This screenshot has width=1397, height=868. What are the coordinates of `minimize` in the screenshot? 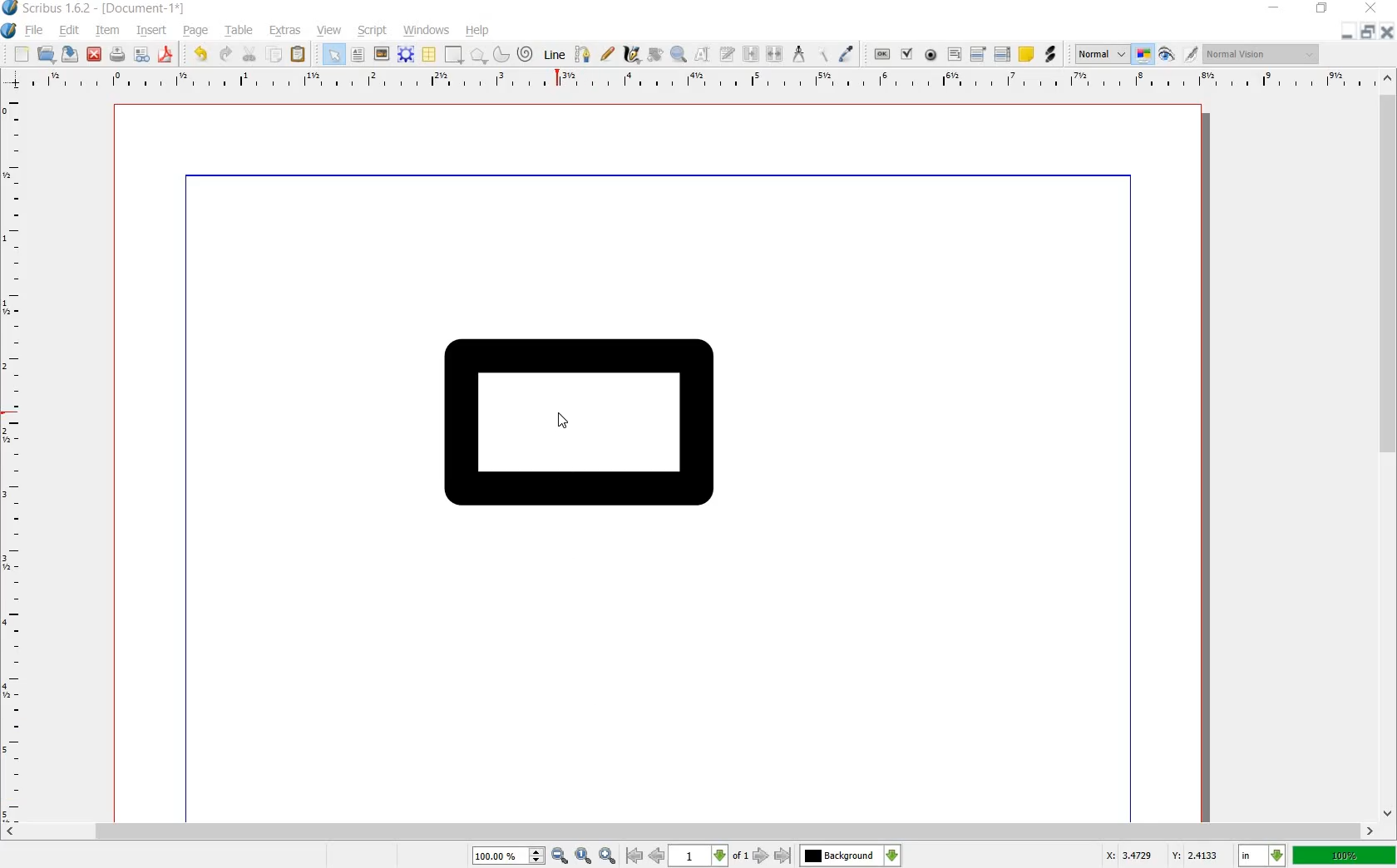 It's located at (1275, 8).